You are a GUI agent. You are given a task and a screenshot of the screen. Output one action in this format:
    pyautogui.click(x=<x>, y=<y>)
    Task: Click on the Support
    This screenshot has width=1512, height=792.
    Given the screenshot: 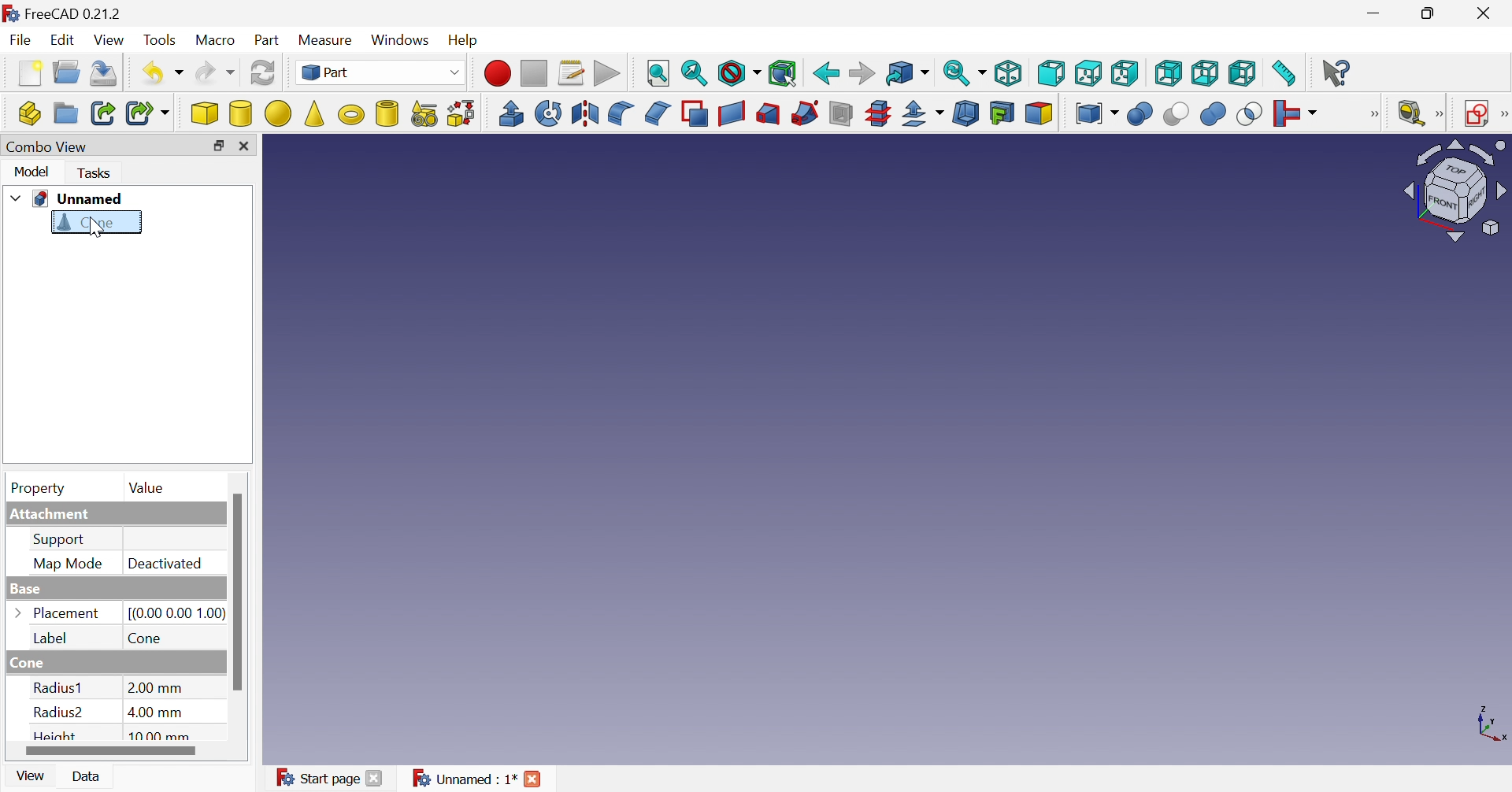 What is the action you would take?
    pyautogui.click(x=59, y=540)
    